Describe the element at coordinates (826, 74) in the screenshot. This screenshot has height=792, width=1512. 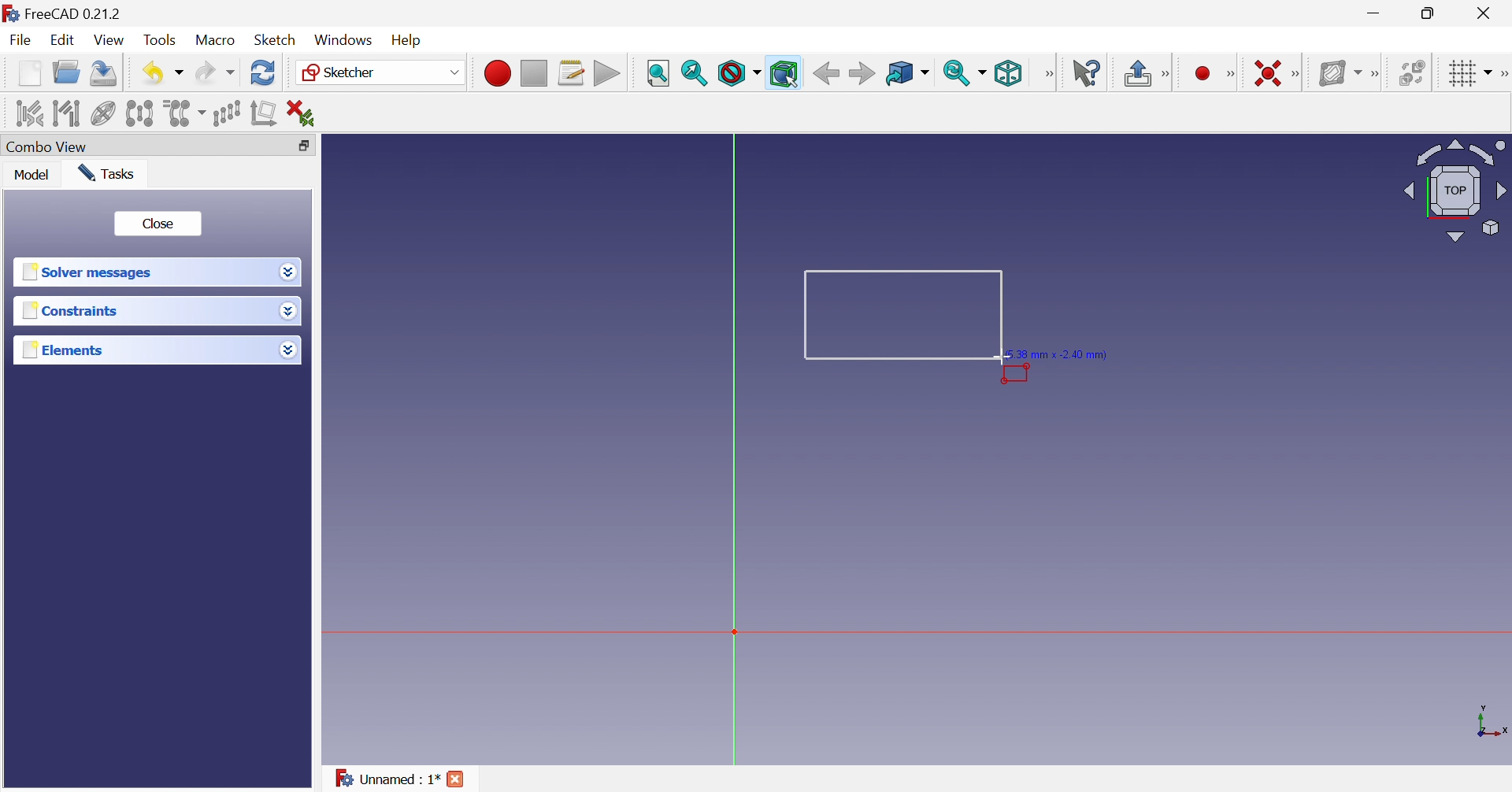
I see `Back` at that location.